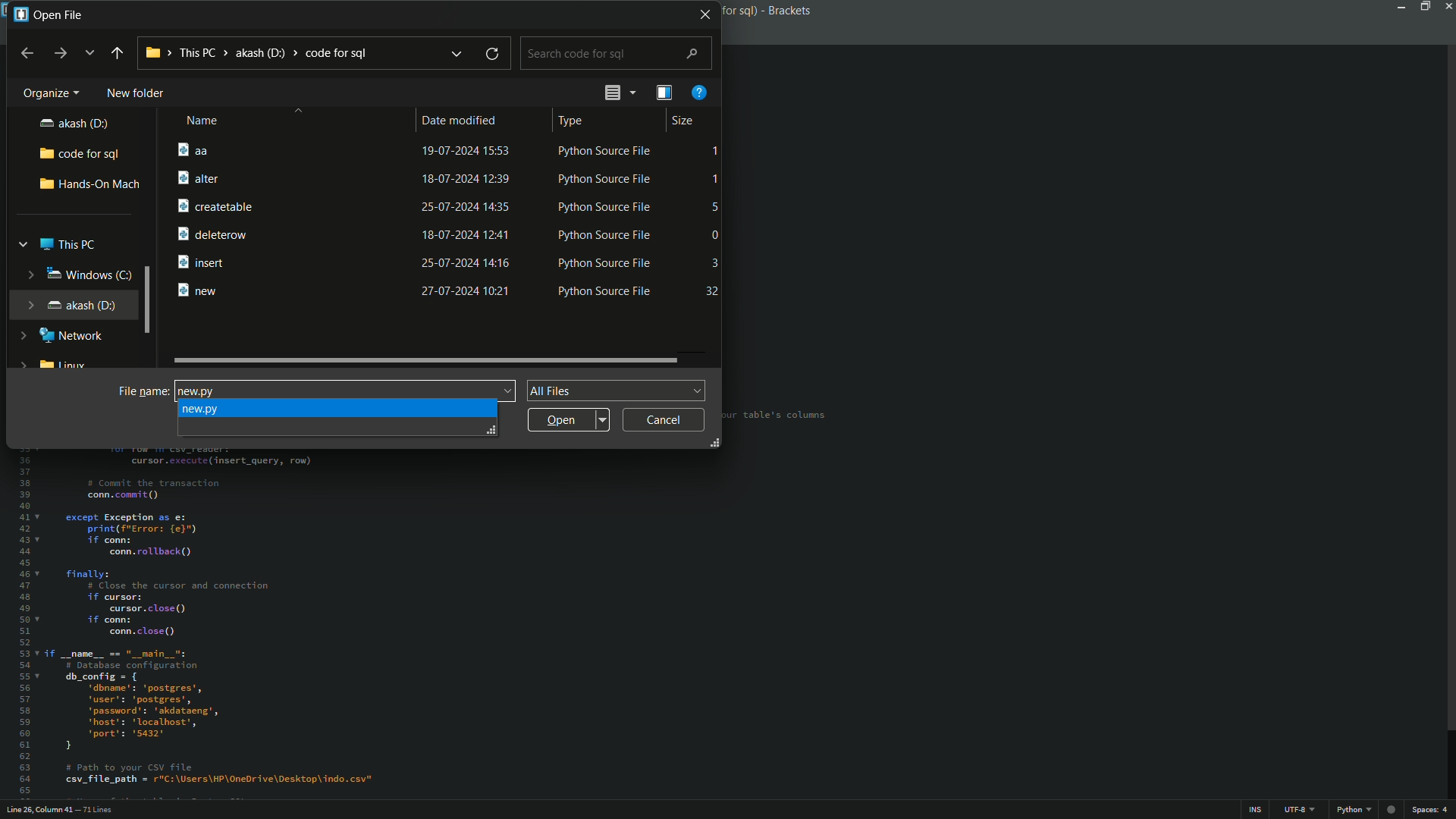 The width and height of the screenshot is (1456, 819). I want to click on new, so click(190, 391).